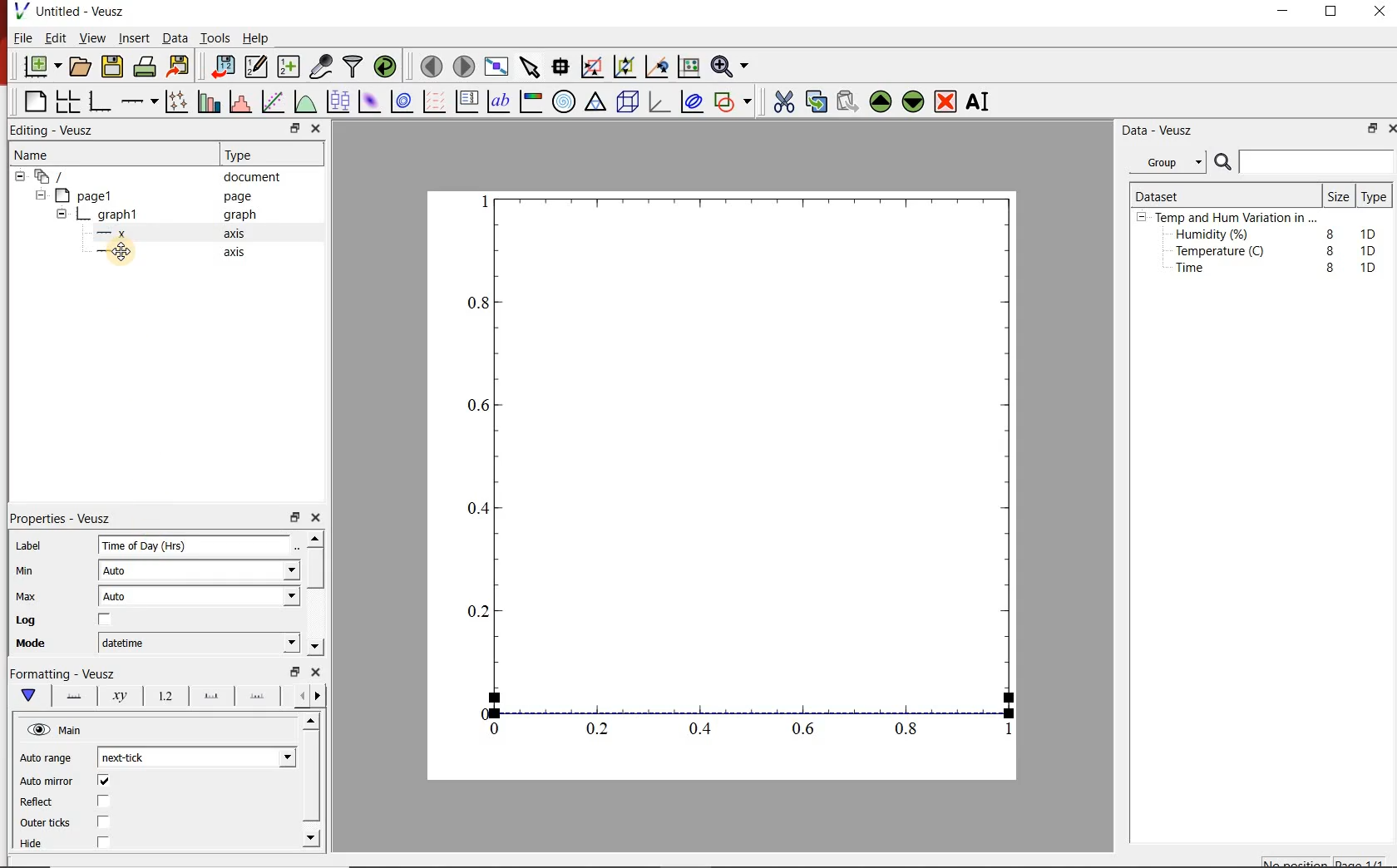  I want to click on Mode, so click(42, 645).